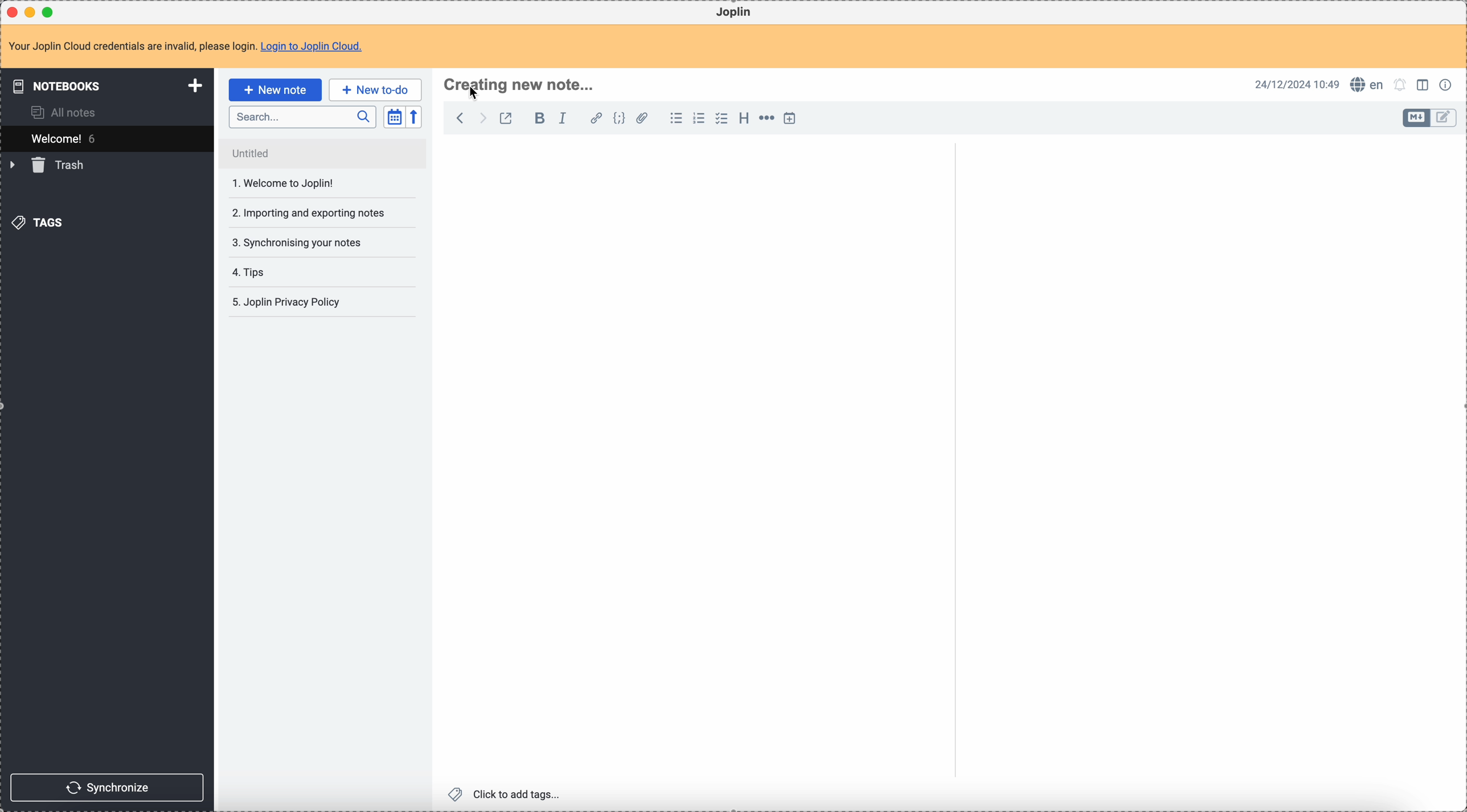 The width and height of the screenshot is (1467, 812). I want to click on Untitled, so click(323, 154).